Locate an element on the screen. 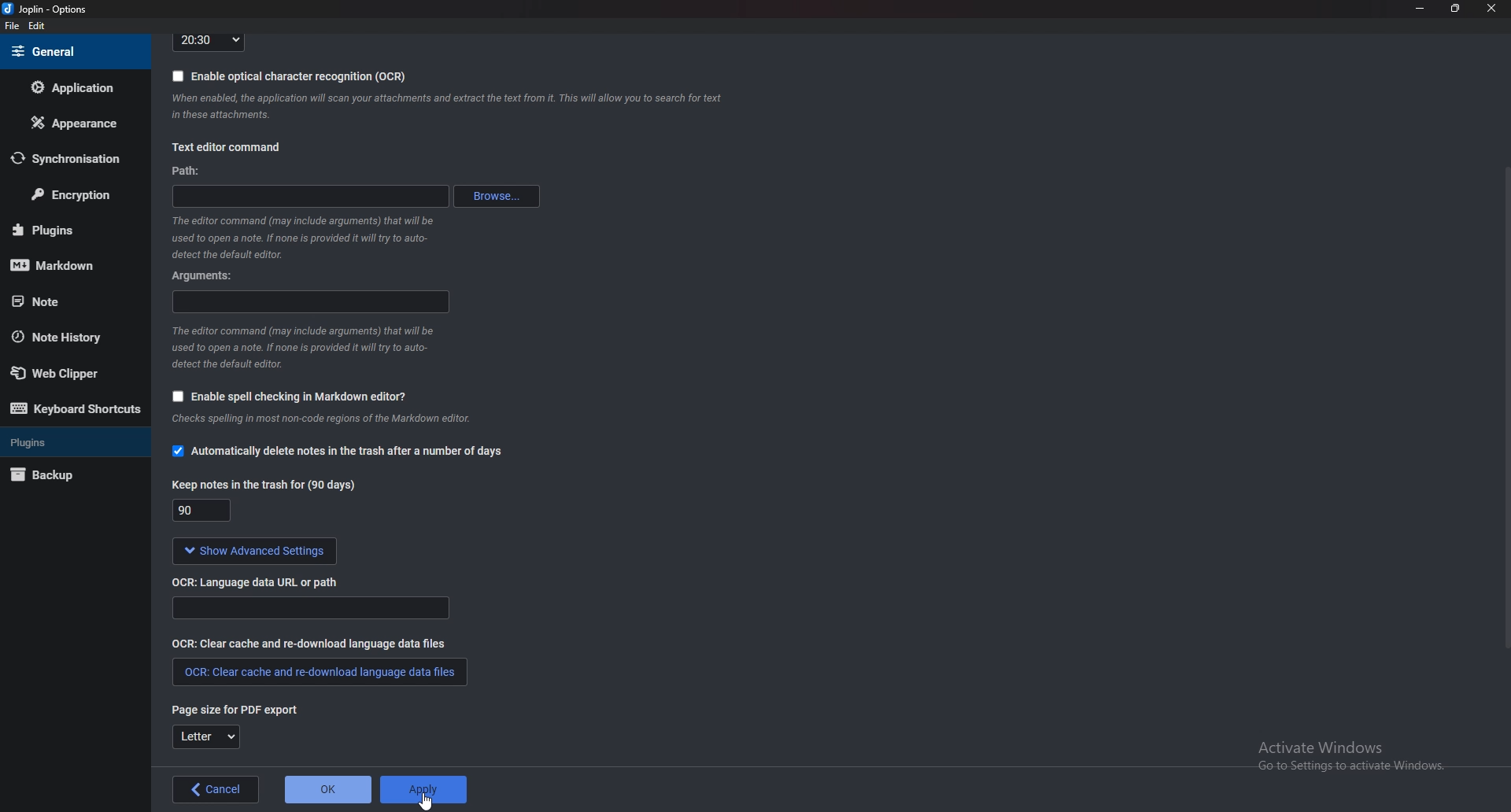  arguments is located at coordinates (313, 302).